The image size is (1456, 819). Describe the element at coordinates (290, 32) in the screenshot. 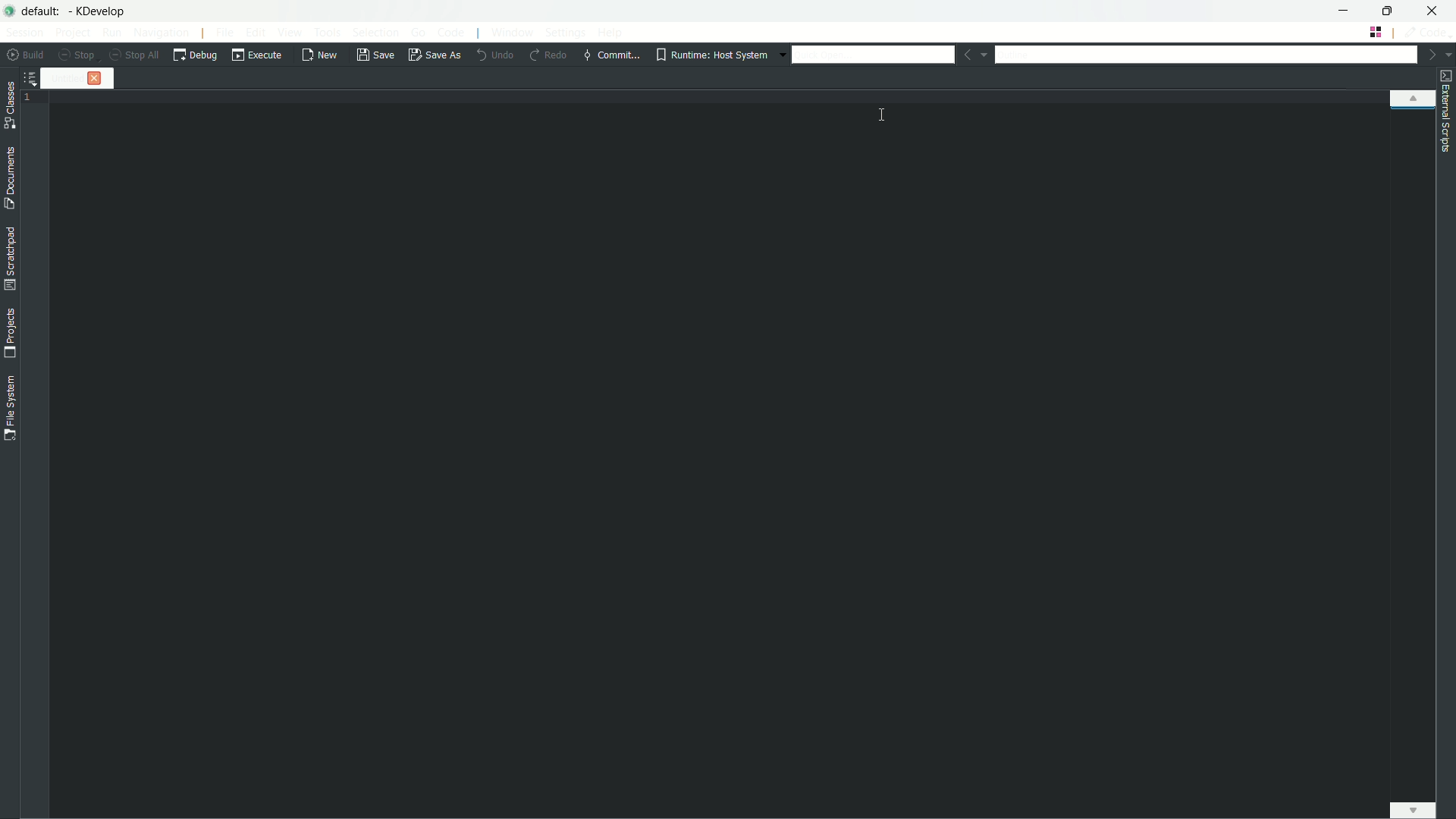

I see `view` at that location.